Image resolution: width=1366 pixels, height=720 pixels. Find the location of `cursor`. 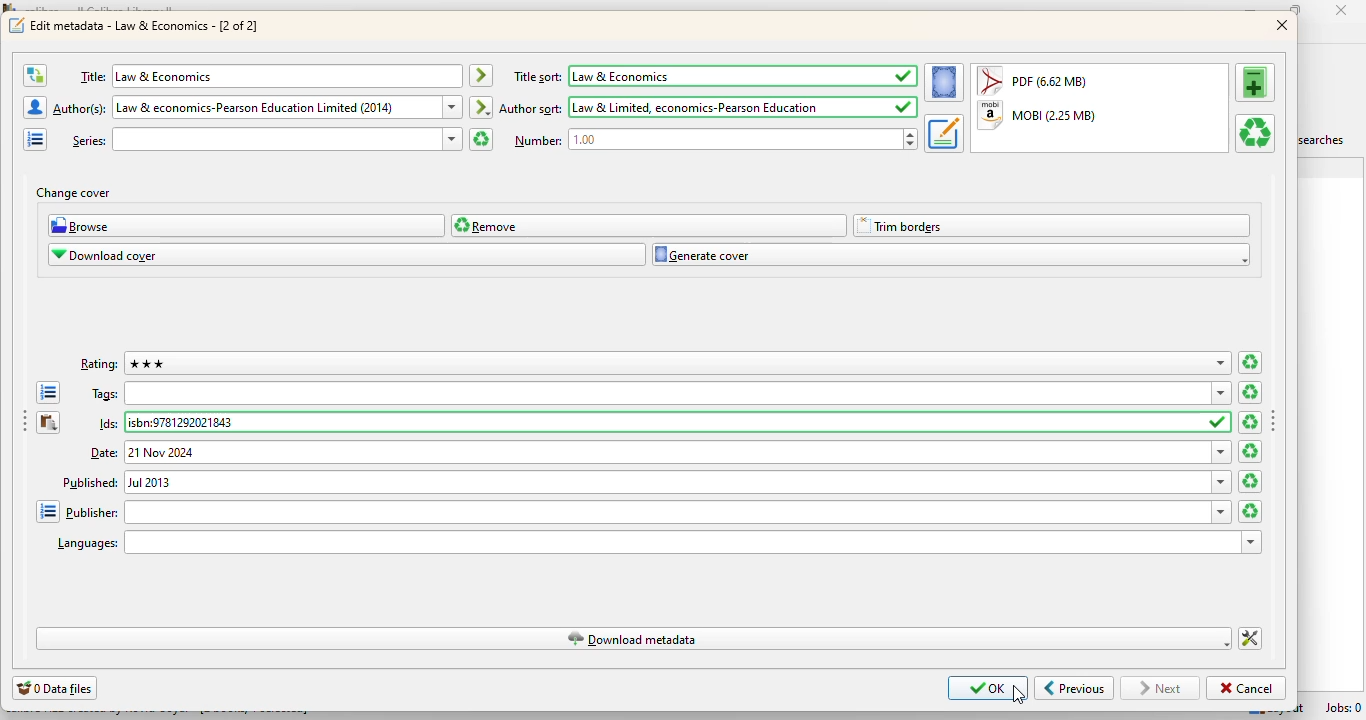

cursor is located at coordinates (1018, 694).